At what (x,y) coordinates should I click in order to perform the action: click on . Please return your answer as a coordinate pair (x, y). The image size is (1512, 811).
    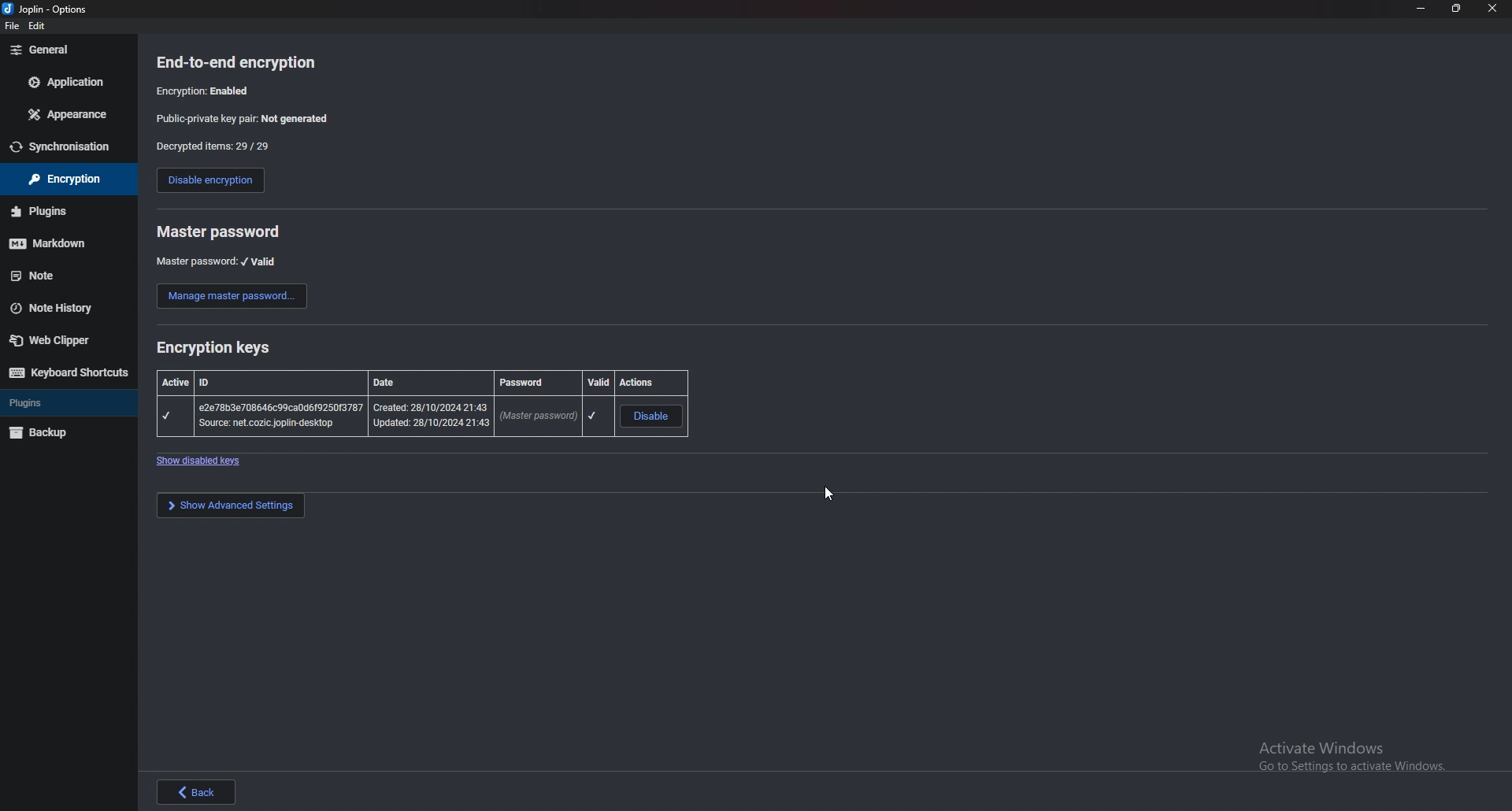
    Looking at the image, I should click on (30, 276).